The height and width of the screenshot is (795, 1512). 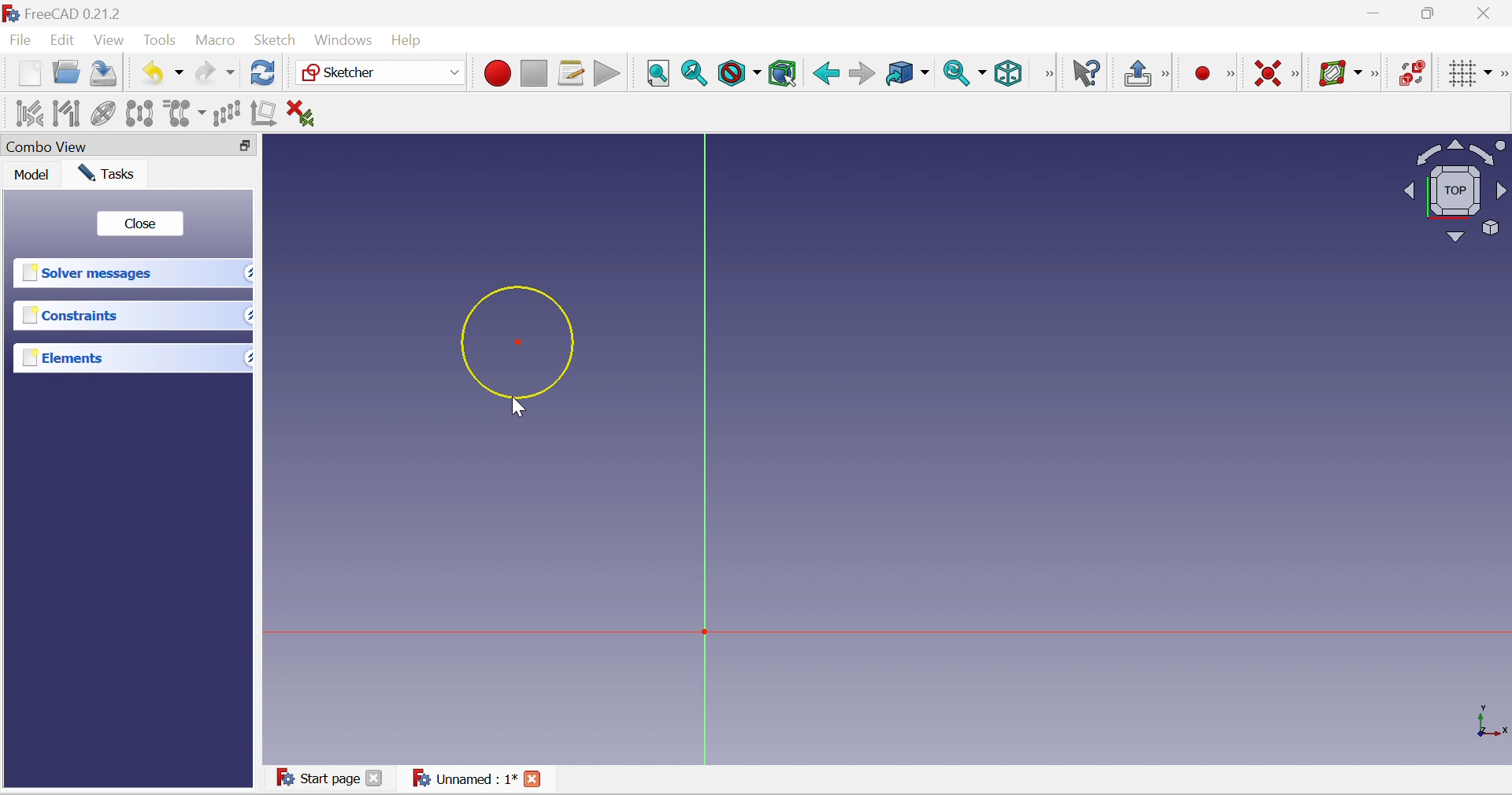 I want to click on Execute macro, so click(x=607, y=75).